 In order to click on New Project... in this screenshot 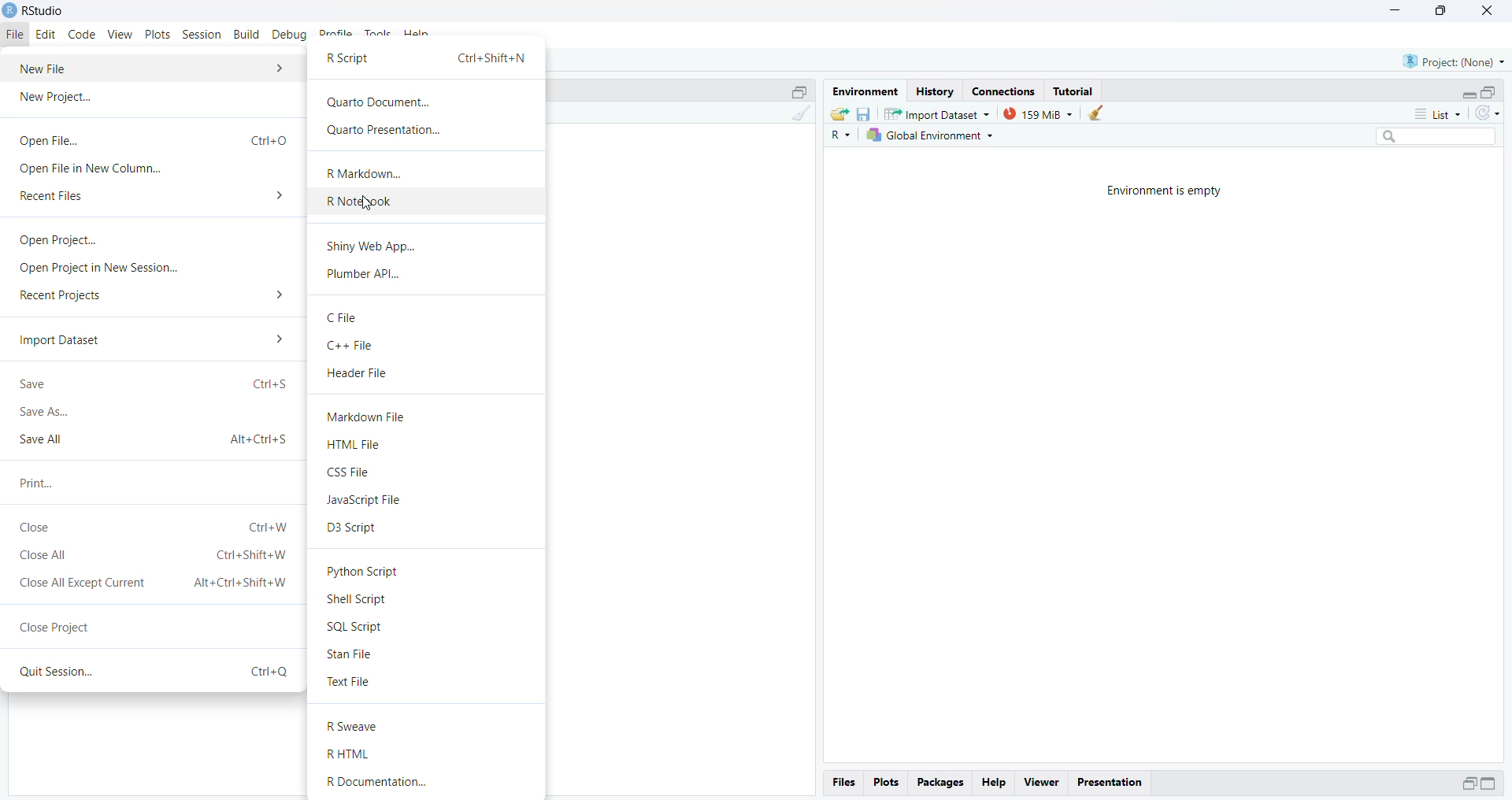, I will do `click(60, 99)`.